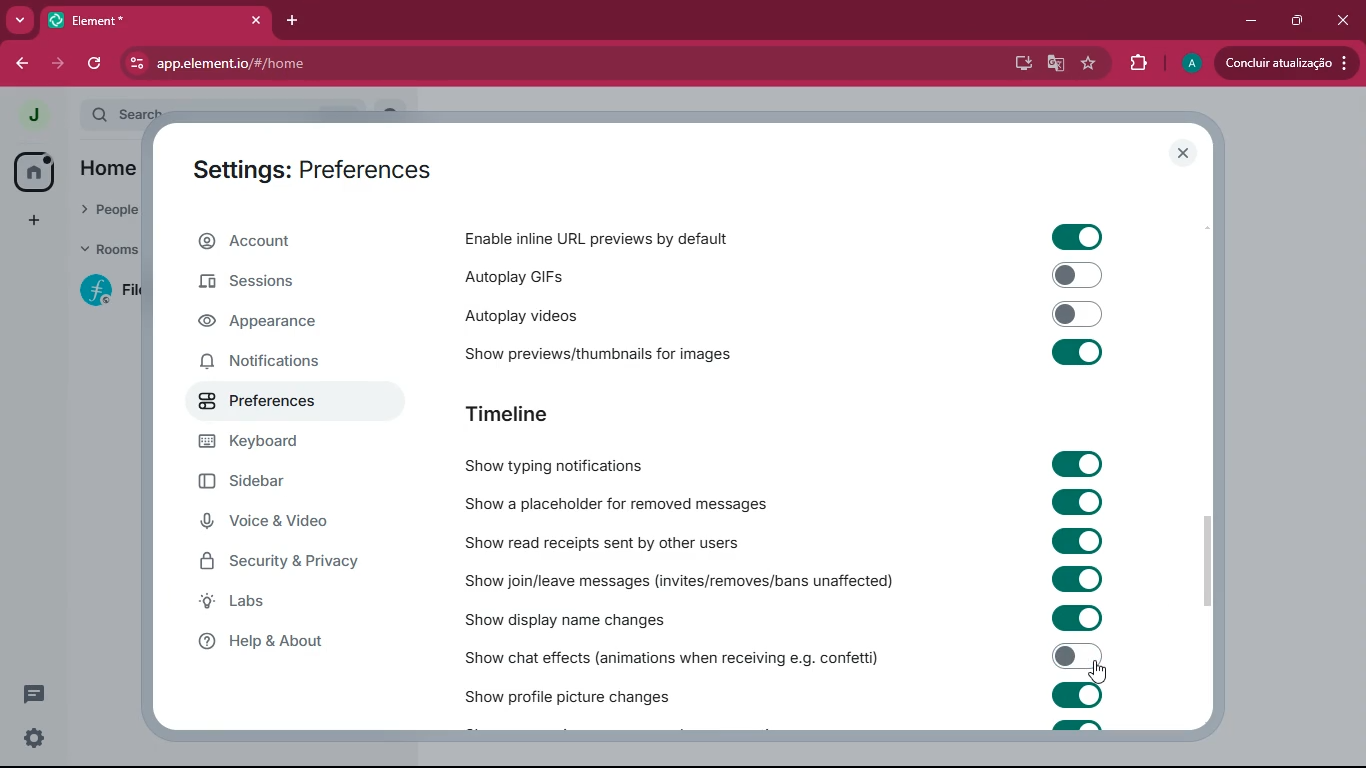 This screenshot has height=768, width=1366. I want to click on cursor, so click(1098, 673).